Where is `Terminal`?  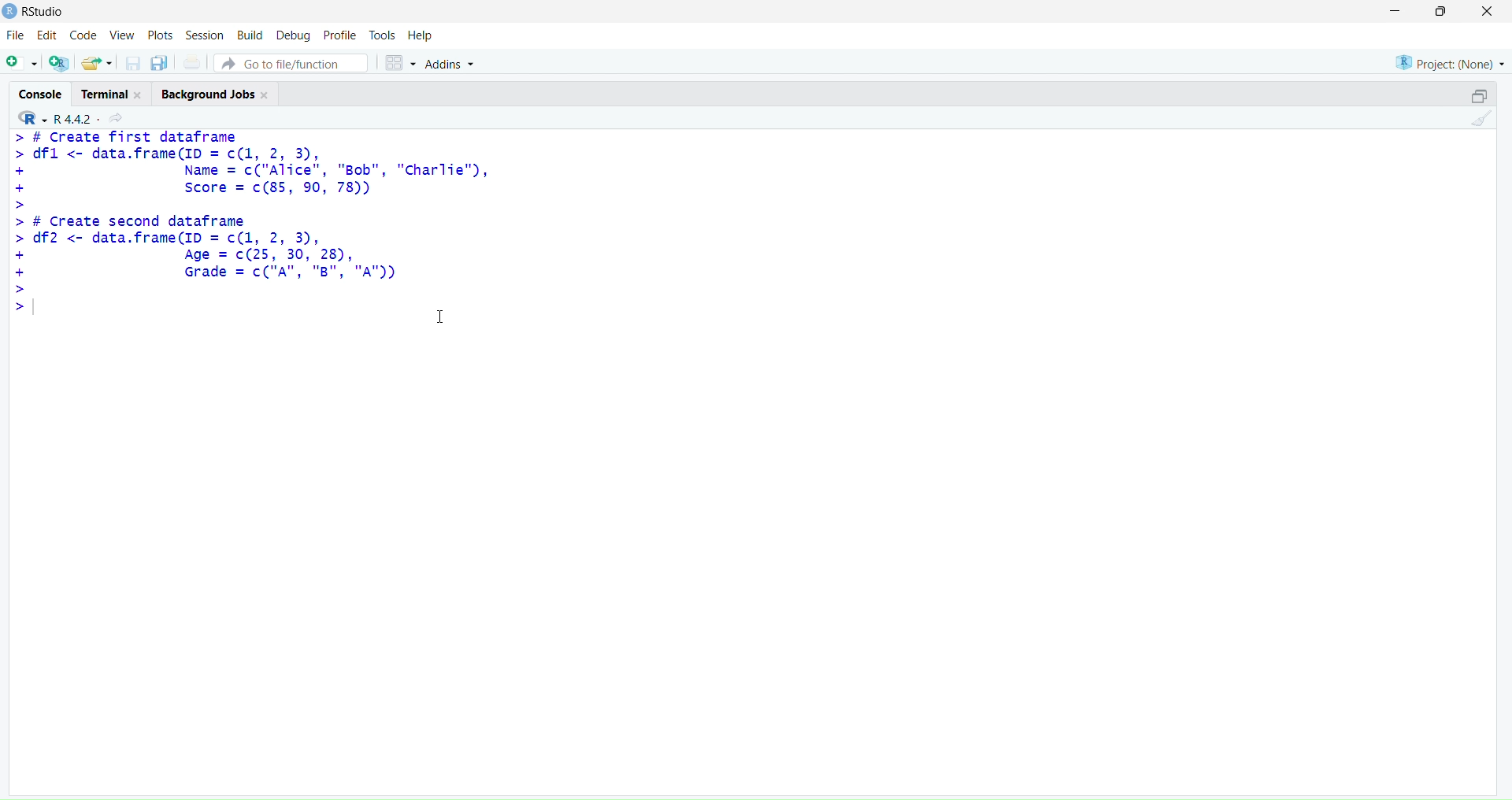 Terminal is located at coordinates (115, 92).